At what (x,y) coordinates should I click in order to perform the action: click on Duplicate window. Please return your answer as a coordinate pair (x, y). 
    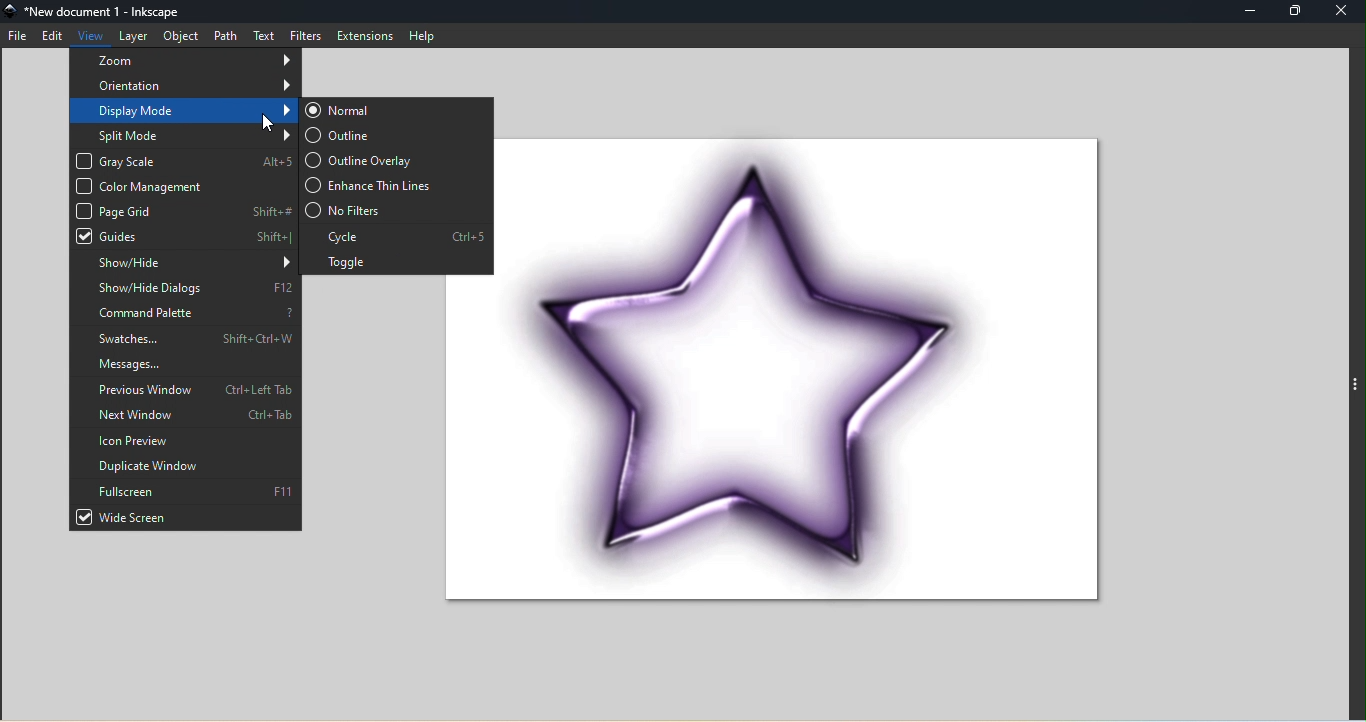
    Looking at the image, I should click on (188, 467).